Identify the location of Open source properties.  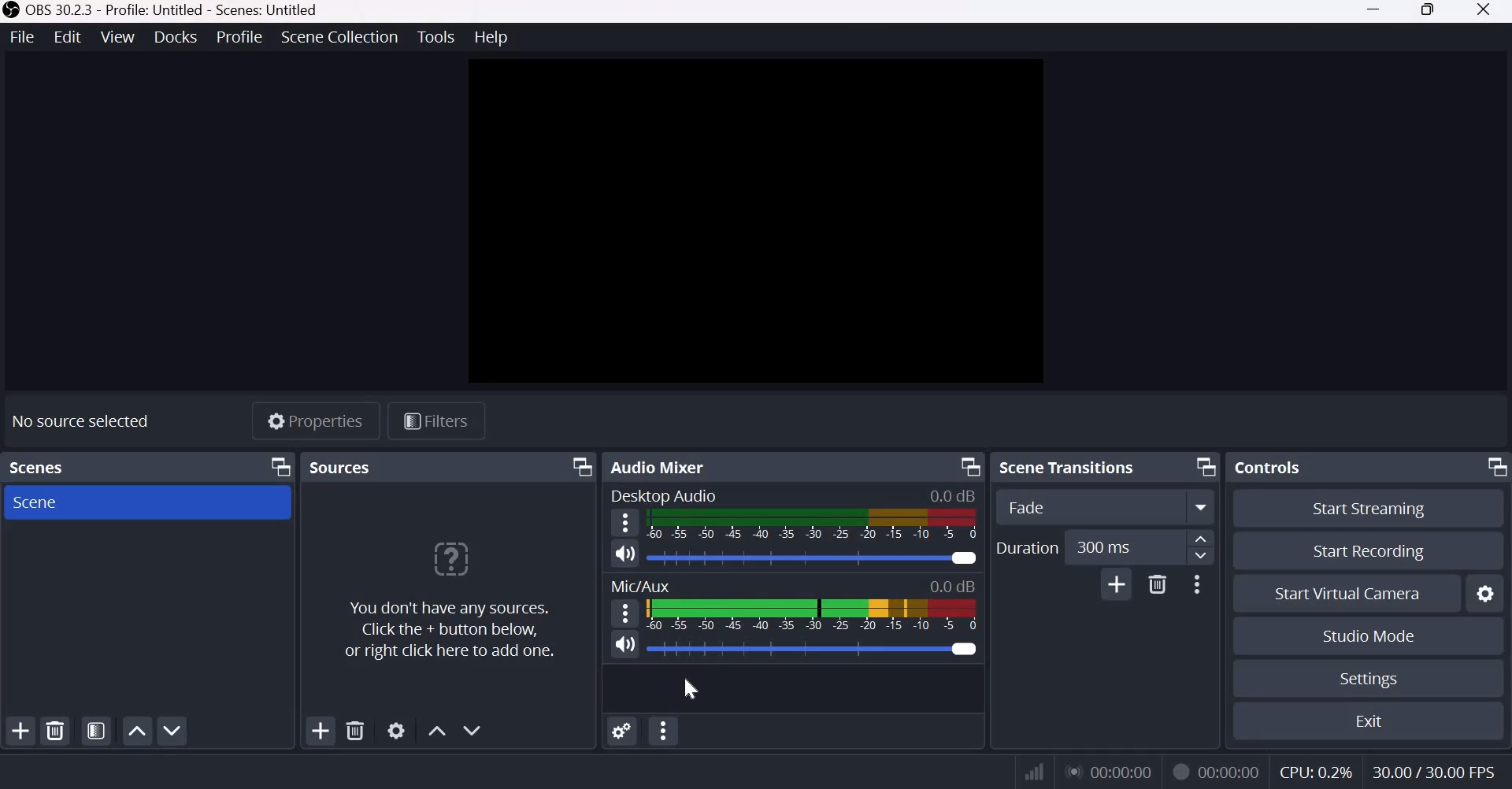
(398, 731).